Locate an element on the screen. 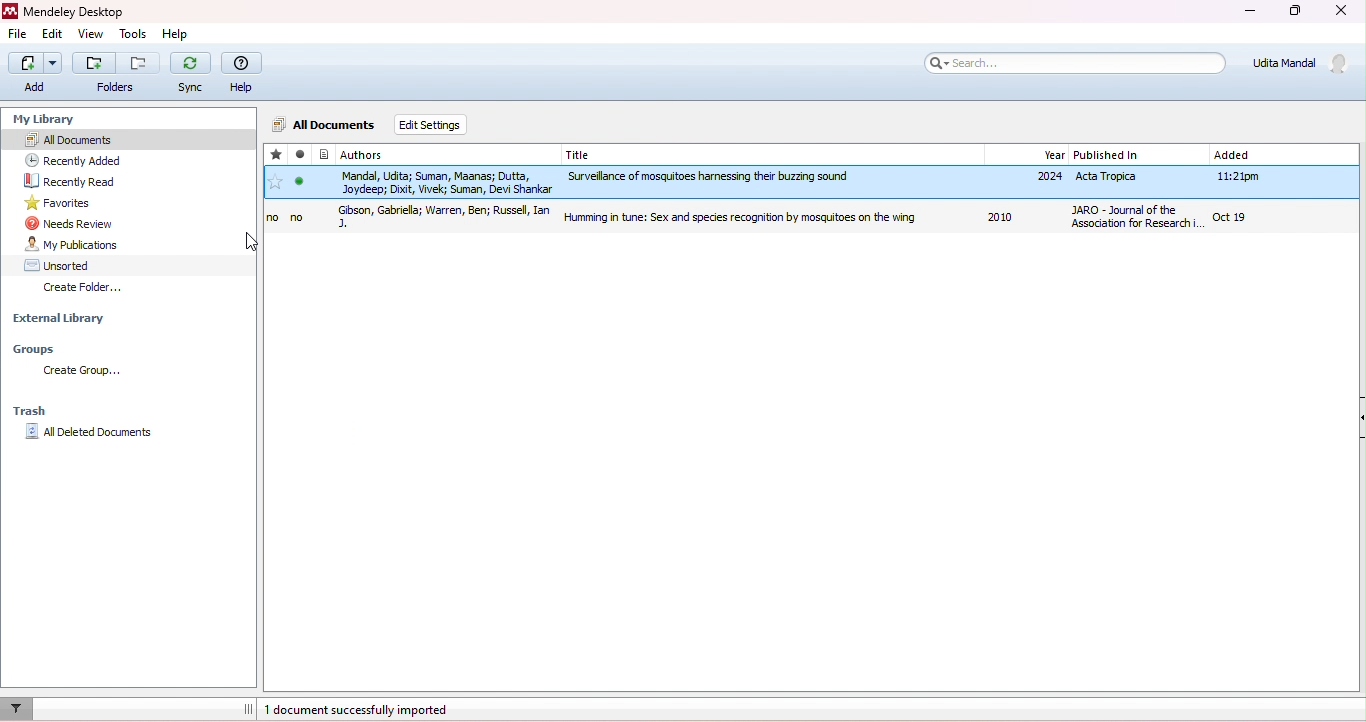  external library is located at coordinates (67, 319).